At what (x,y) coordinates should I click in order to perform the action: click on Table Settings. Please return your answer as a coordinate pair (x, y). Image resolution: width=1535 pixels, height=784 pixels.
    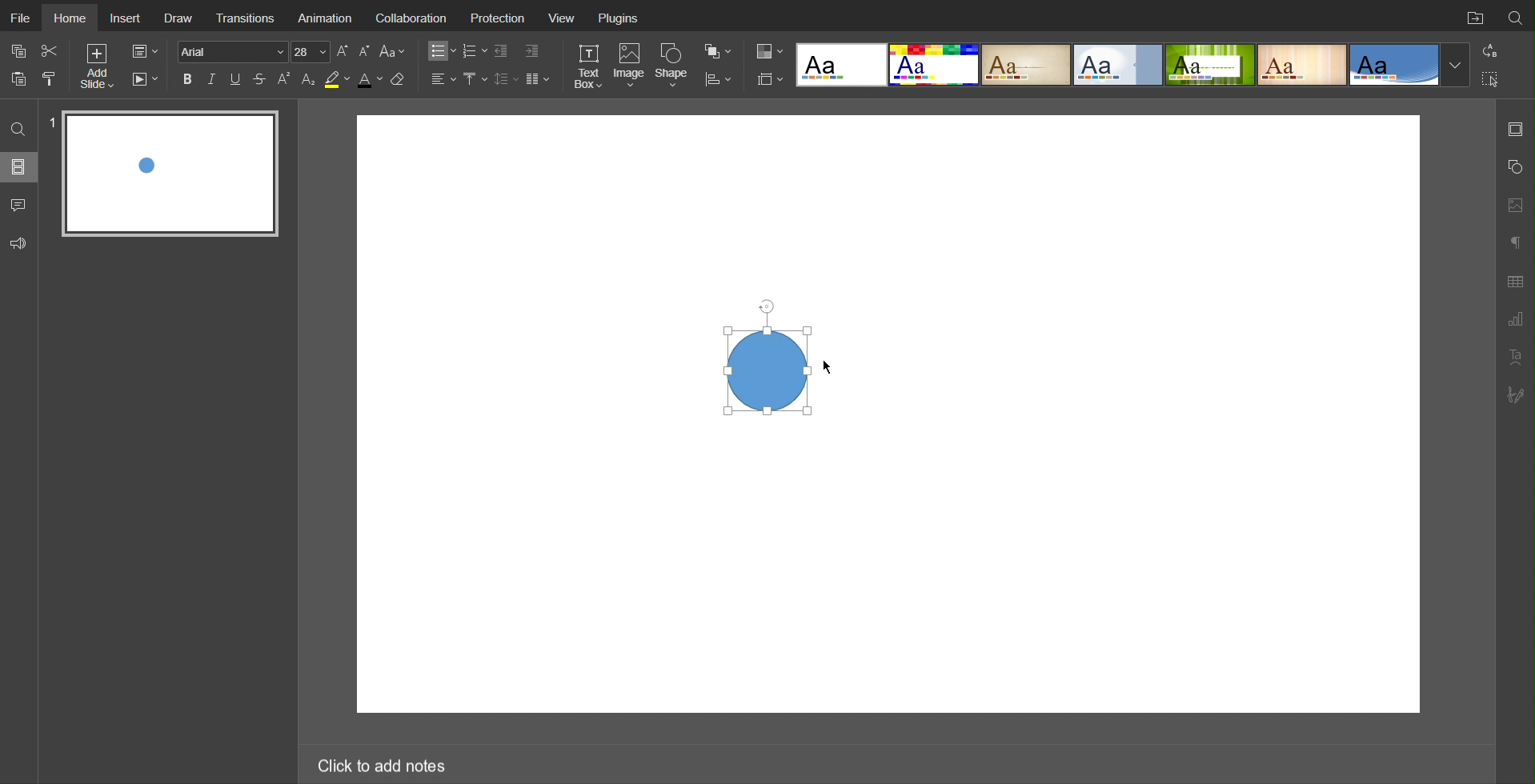
    Looking at the image, I should click on (1515, 280).